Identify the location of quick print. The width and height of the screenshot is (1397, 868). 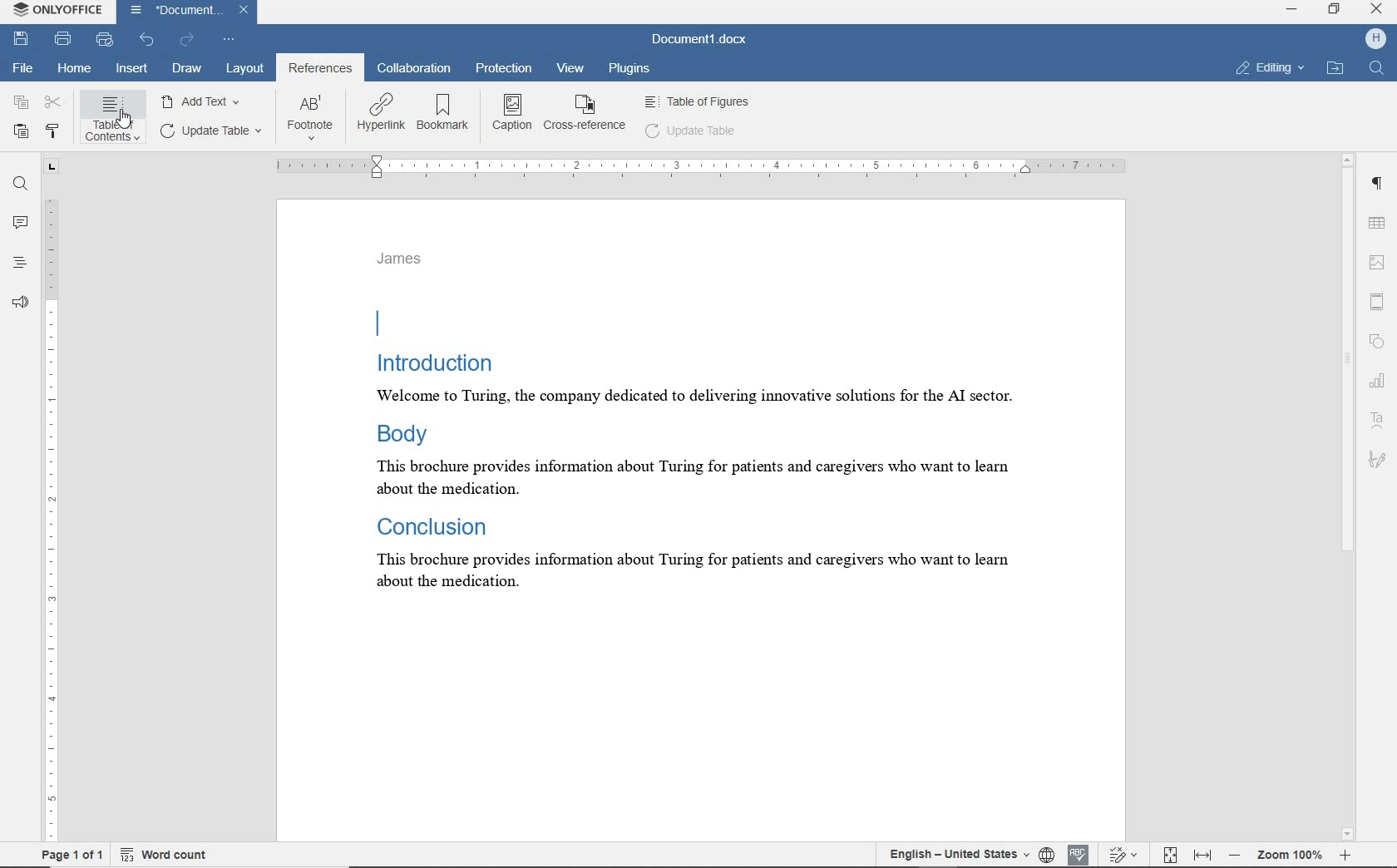
(106, 40).